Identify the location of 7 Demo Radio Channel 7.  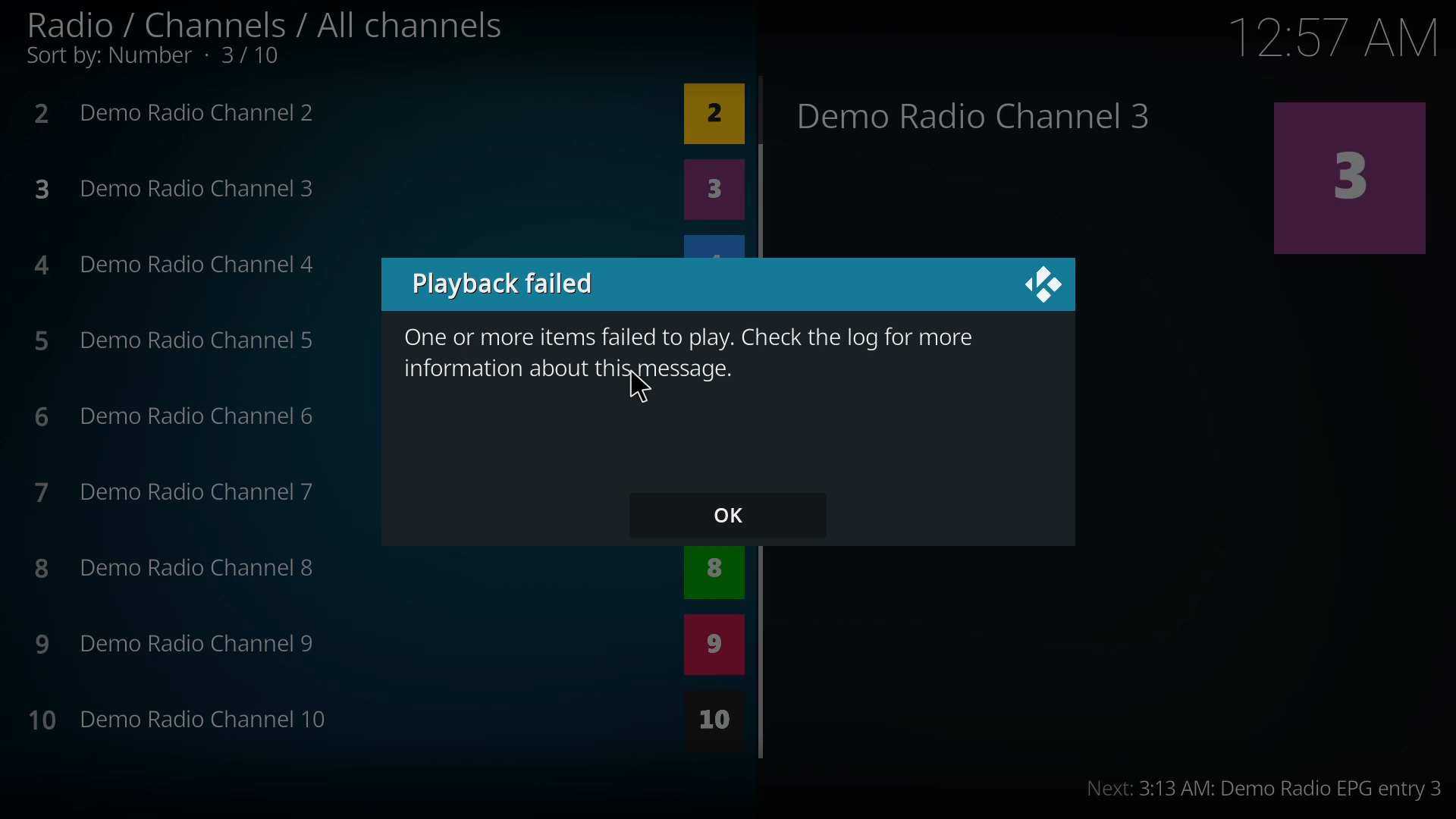
(180, 492).